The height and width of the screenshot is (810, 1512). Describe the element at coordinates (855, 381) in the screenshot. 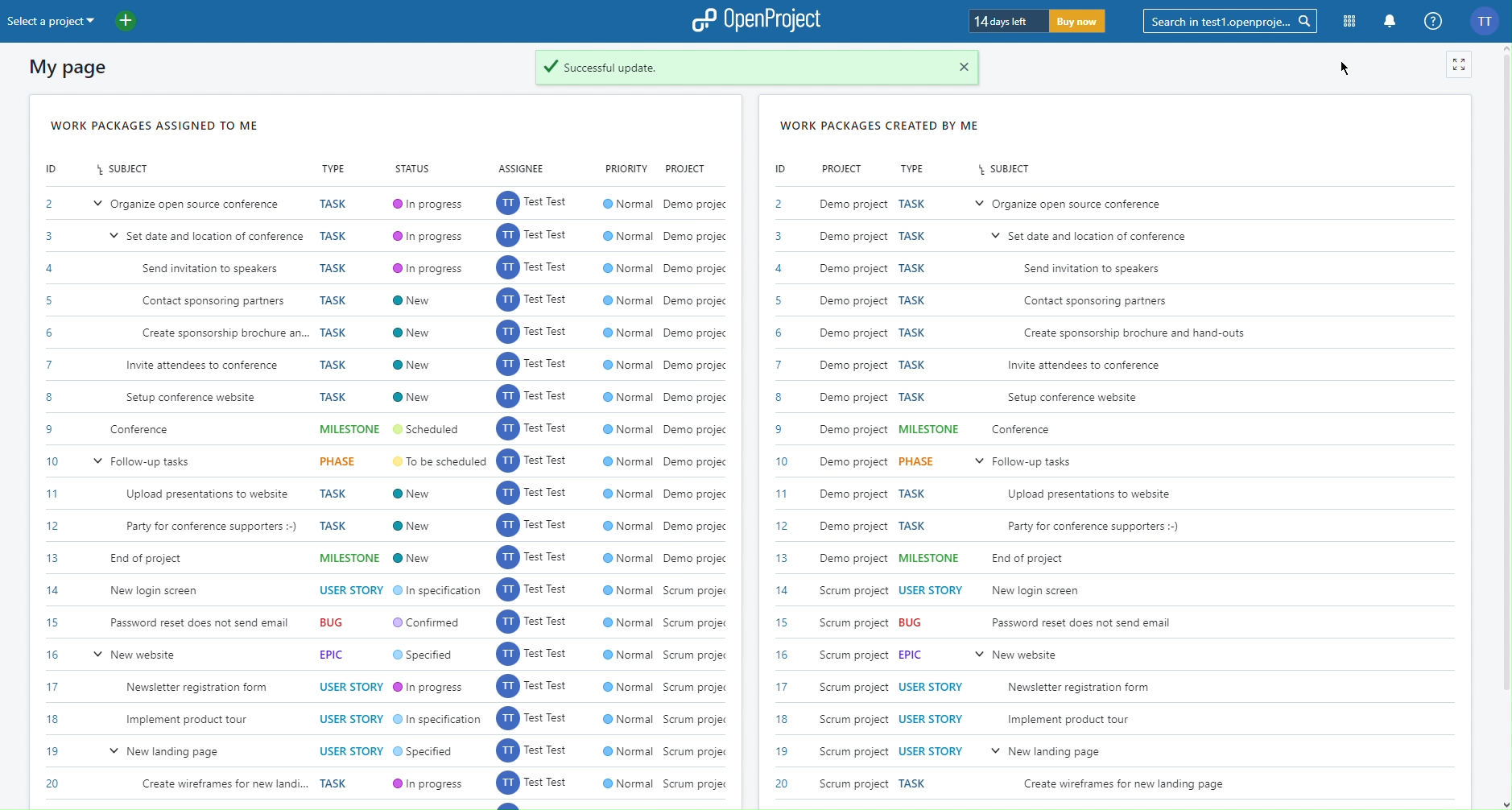

I see `Demo project` at that location.